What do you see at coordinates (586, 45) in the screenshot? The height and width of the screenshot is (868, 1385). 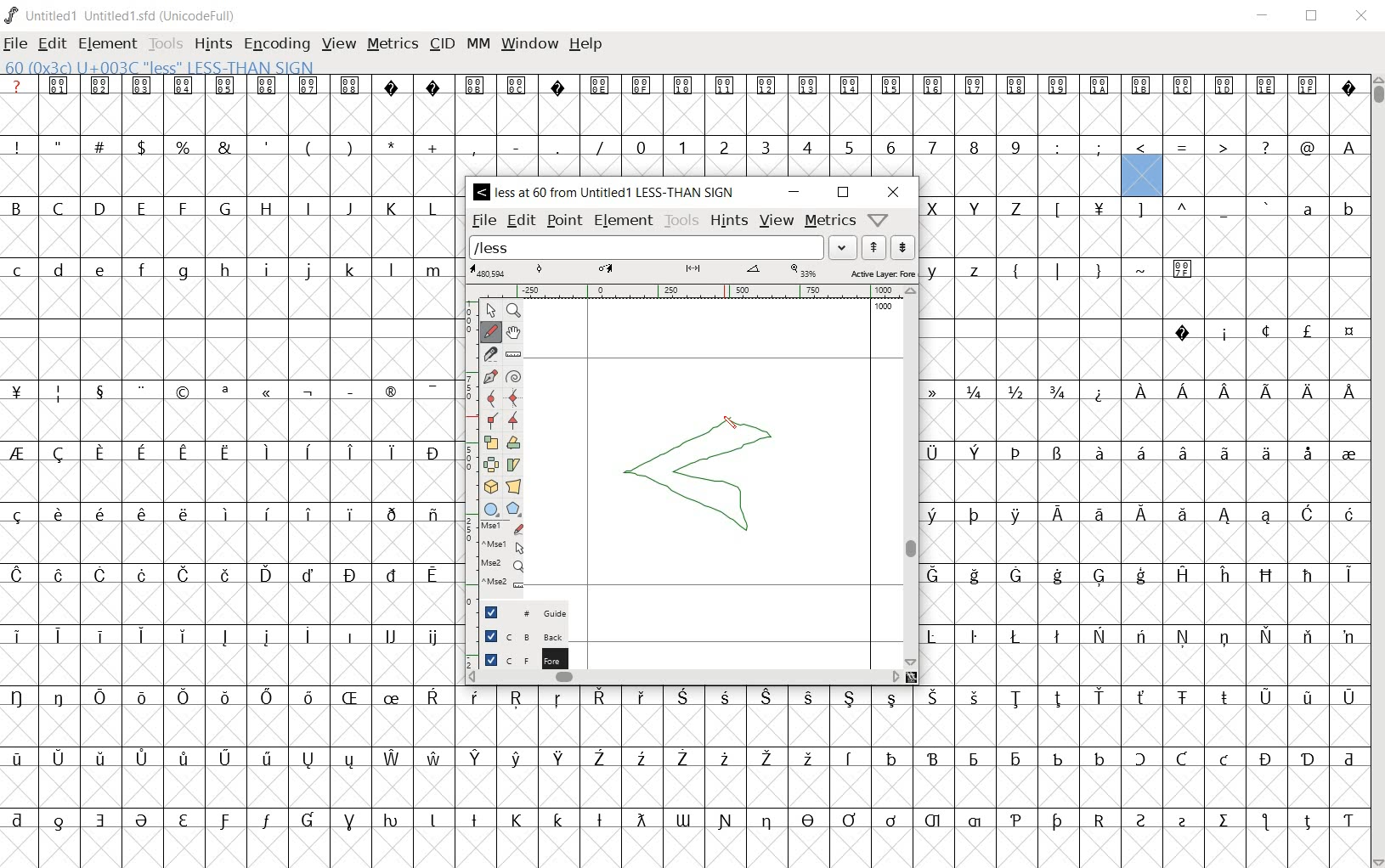 I see `help` at bounding box center [586, 45].